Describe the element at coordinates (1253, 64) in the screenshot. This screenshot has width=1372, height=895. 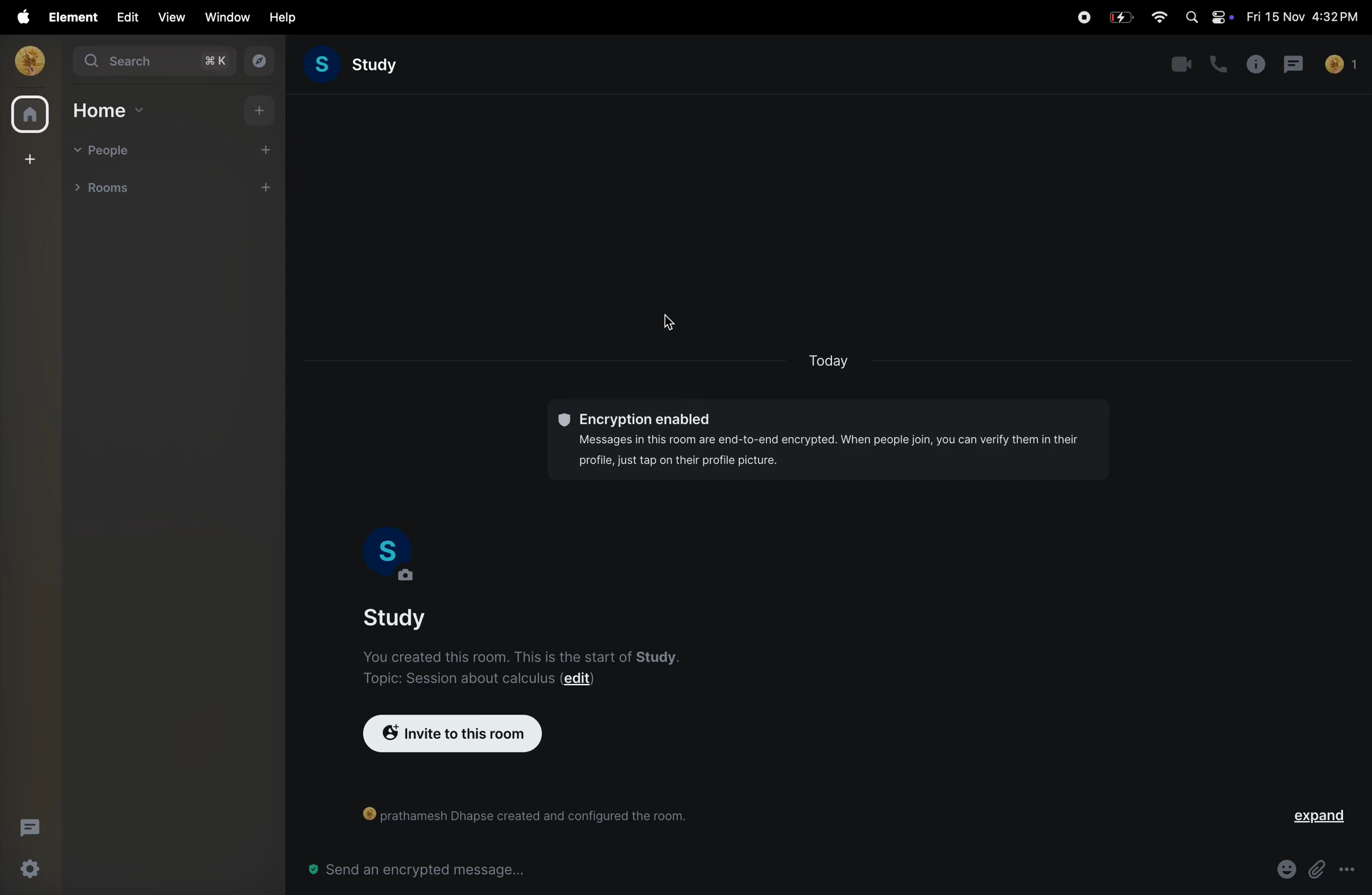
I see `info` at that location.